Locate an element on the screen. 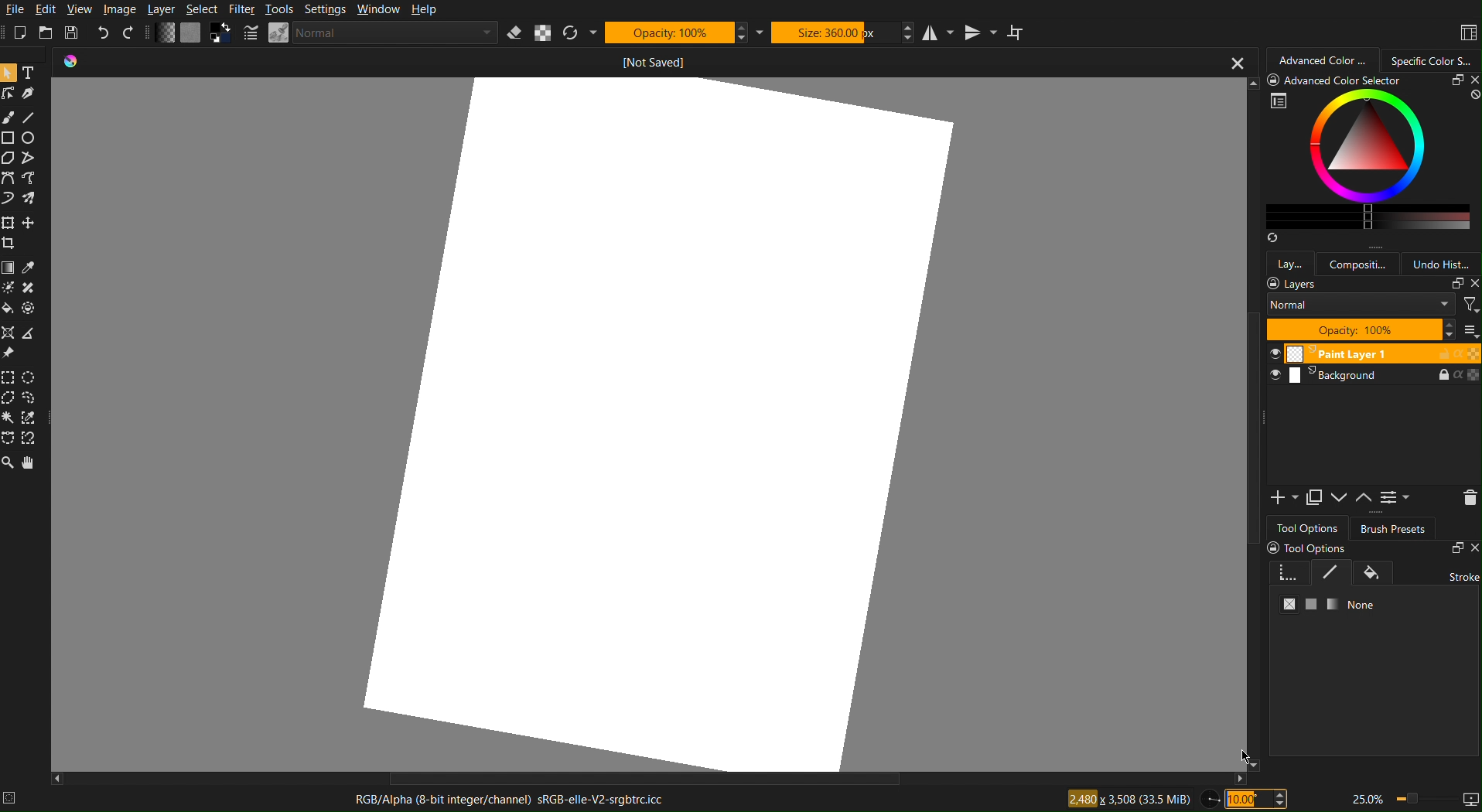  Color Settings is located at coordinates (193, 34).